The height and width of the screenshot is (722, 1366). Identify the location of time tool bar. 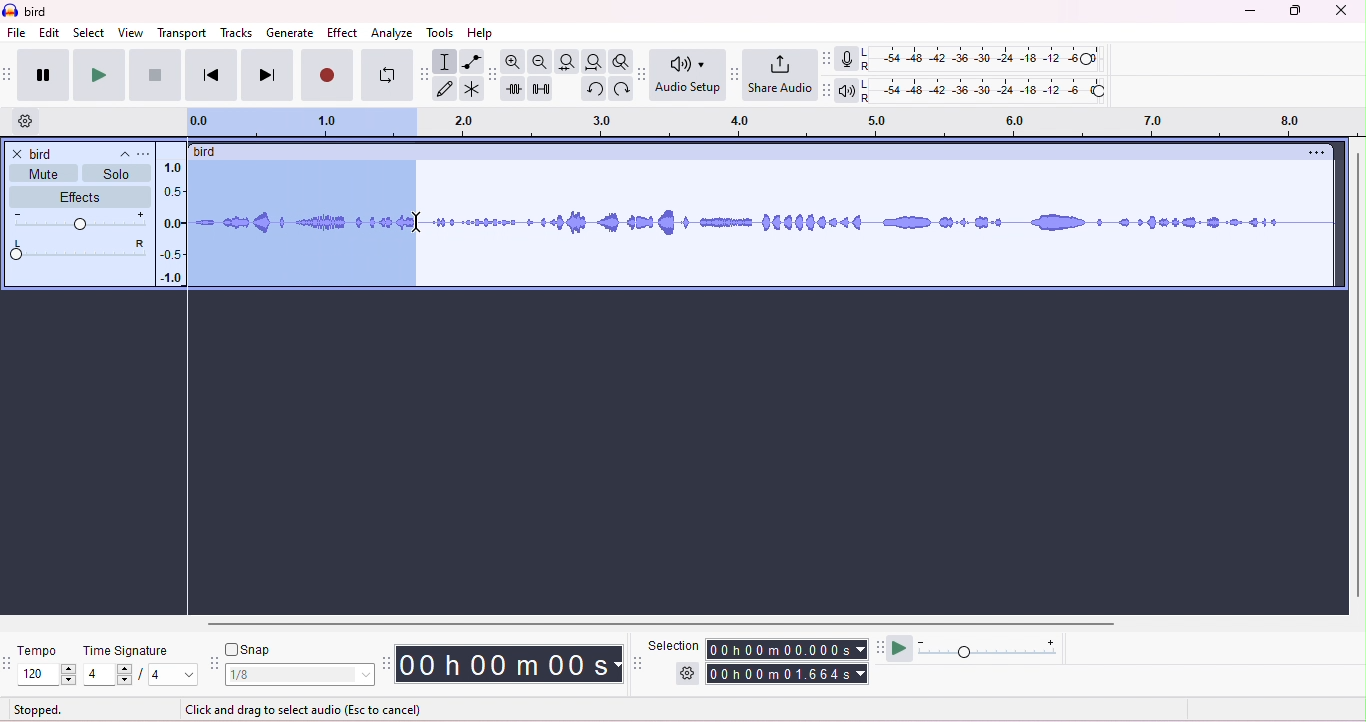
(388, 663).